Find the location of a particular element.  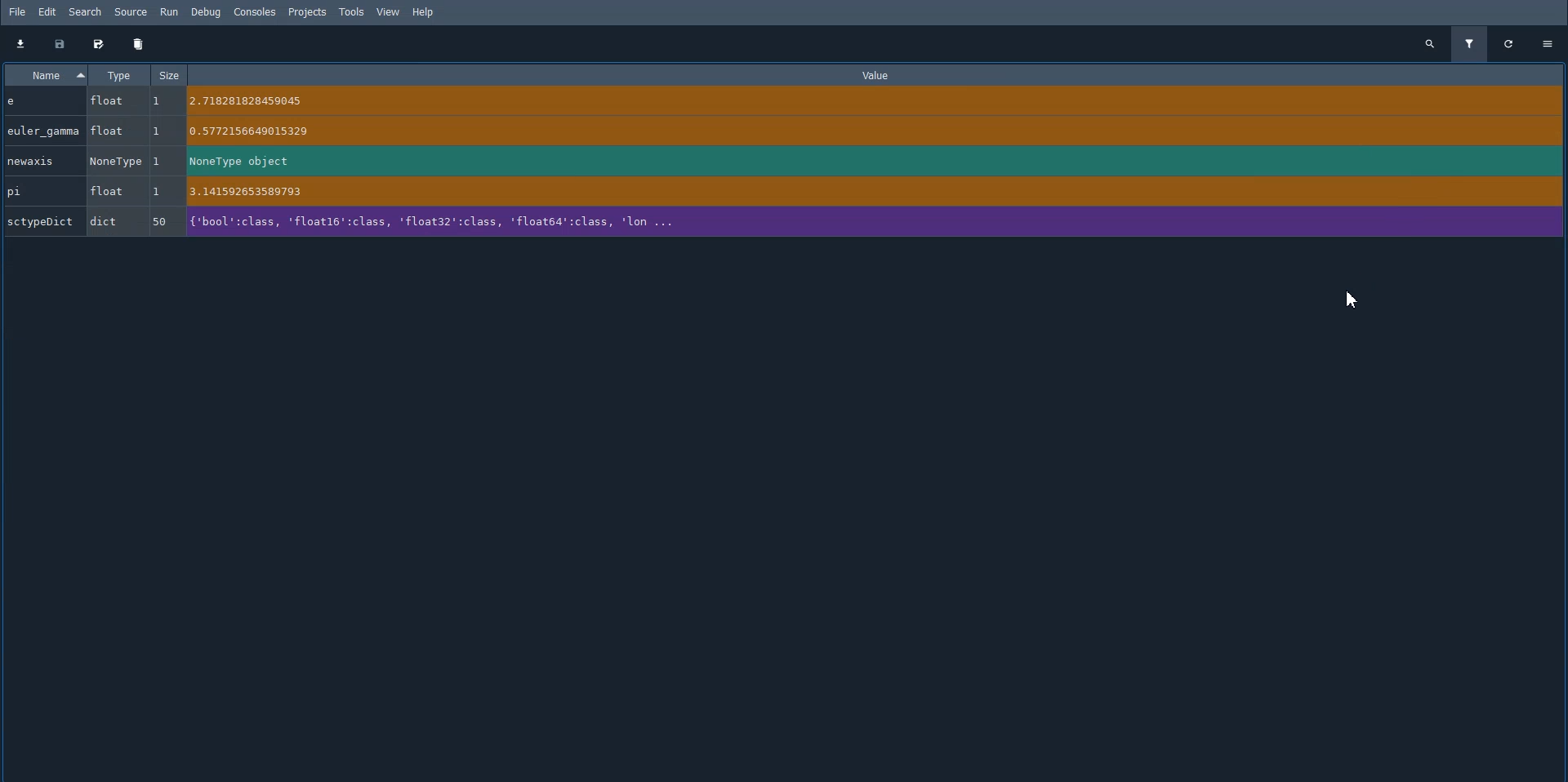

Debug is located at coordinates (209, 12).